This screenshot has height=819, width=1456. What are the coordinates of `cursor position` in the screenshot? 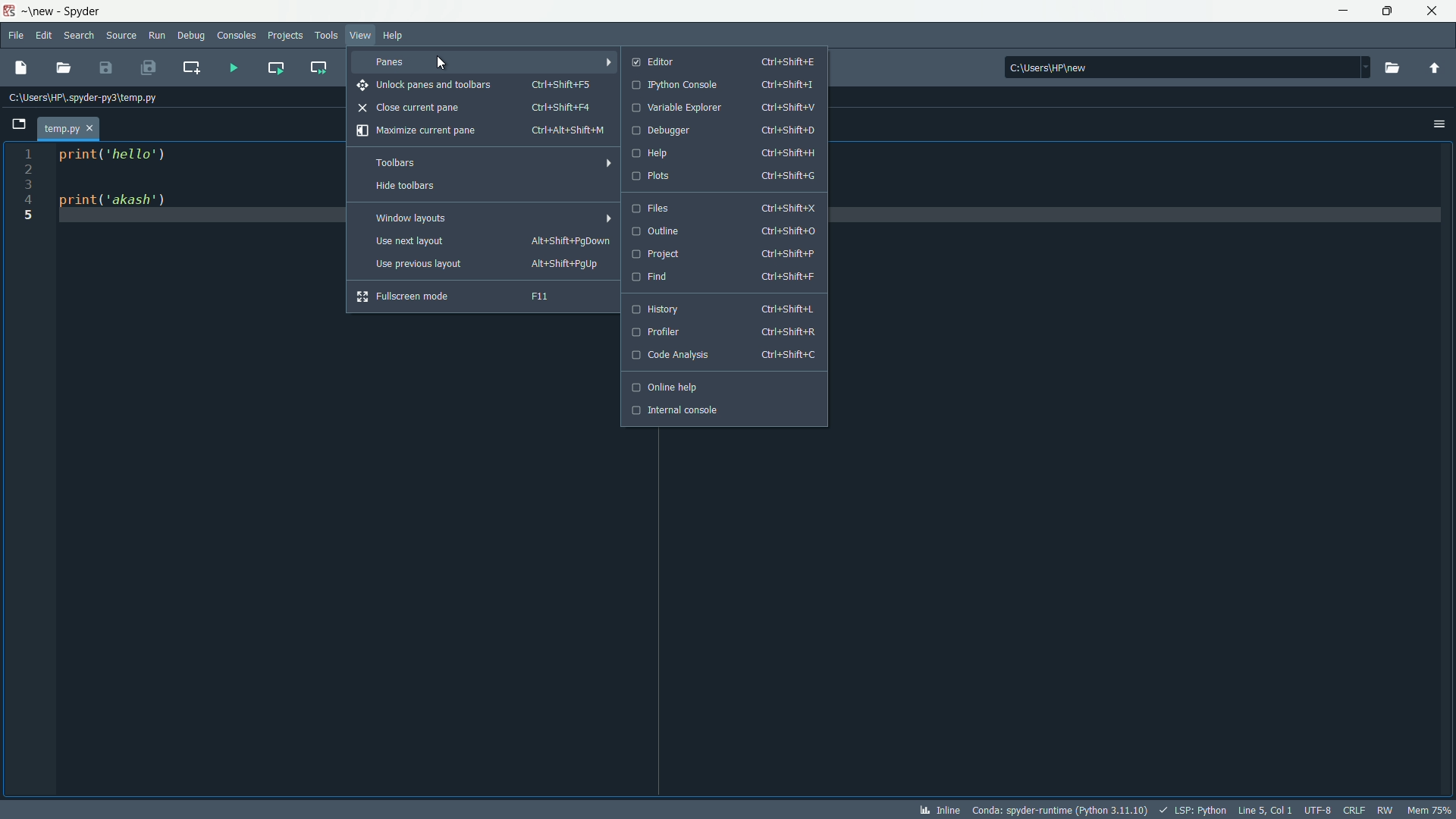 It's located at (1266, 810).